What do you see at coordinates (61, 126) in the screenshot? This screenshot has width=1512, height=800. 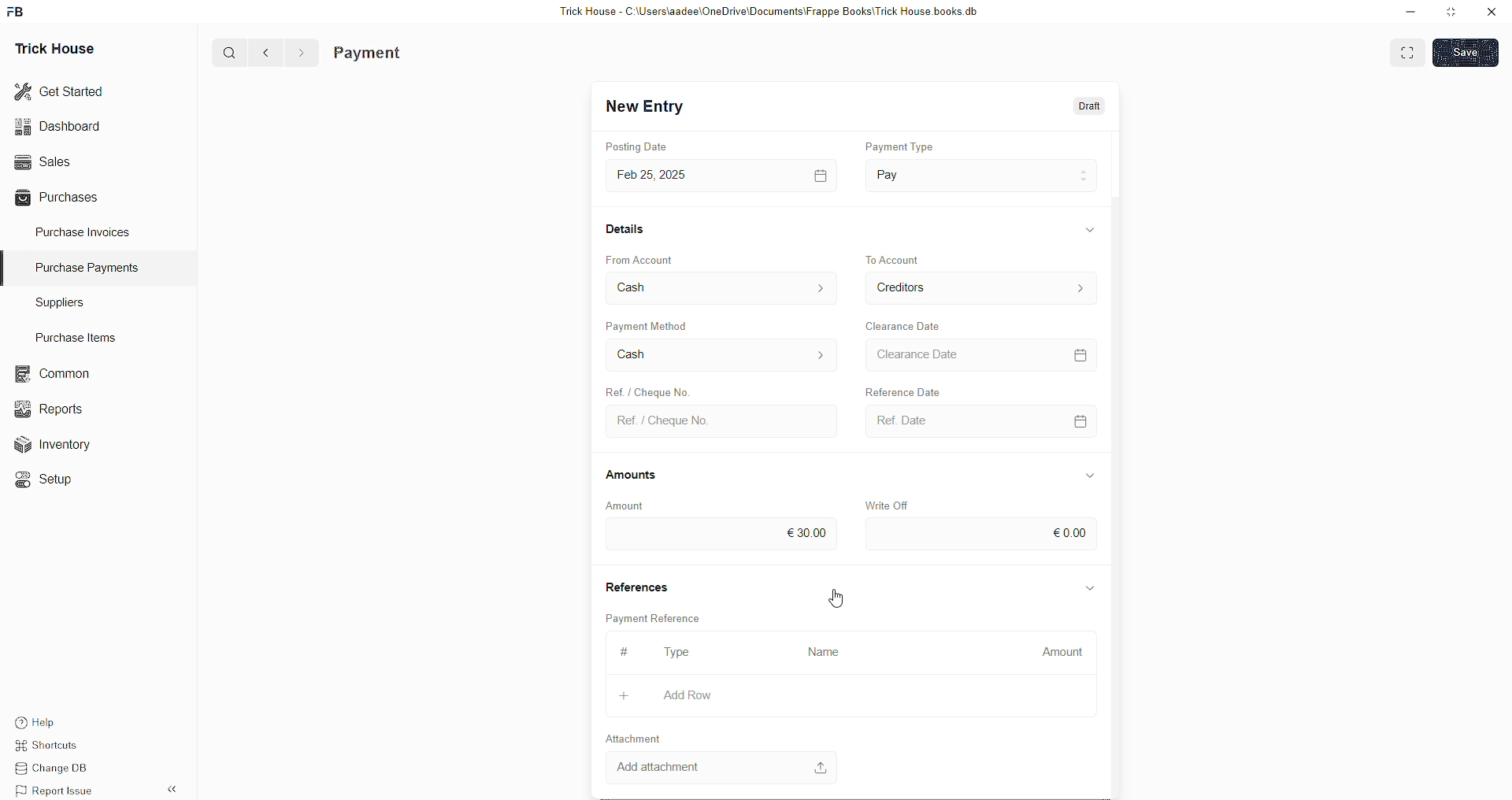 I see `Dashboard` at bounding box center [61, 126].